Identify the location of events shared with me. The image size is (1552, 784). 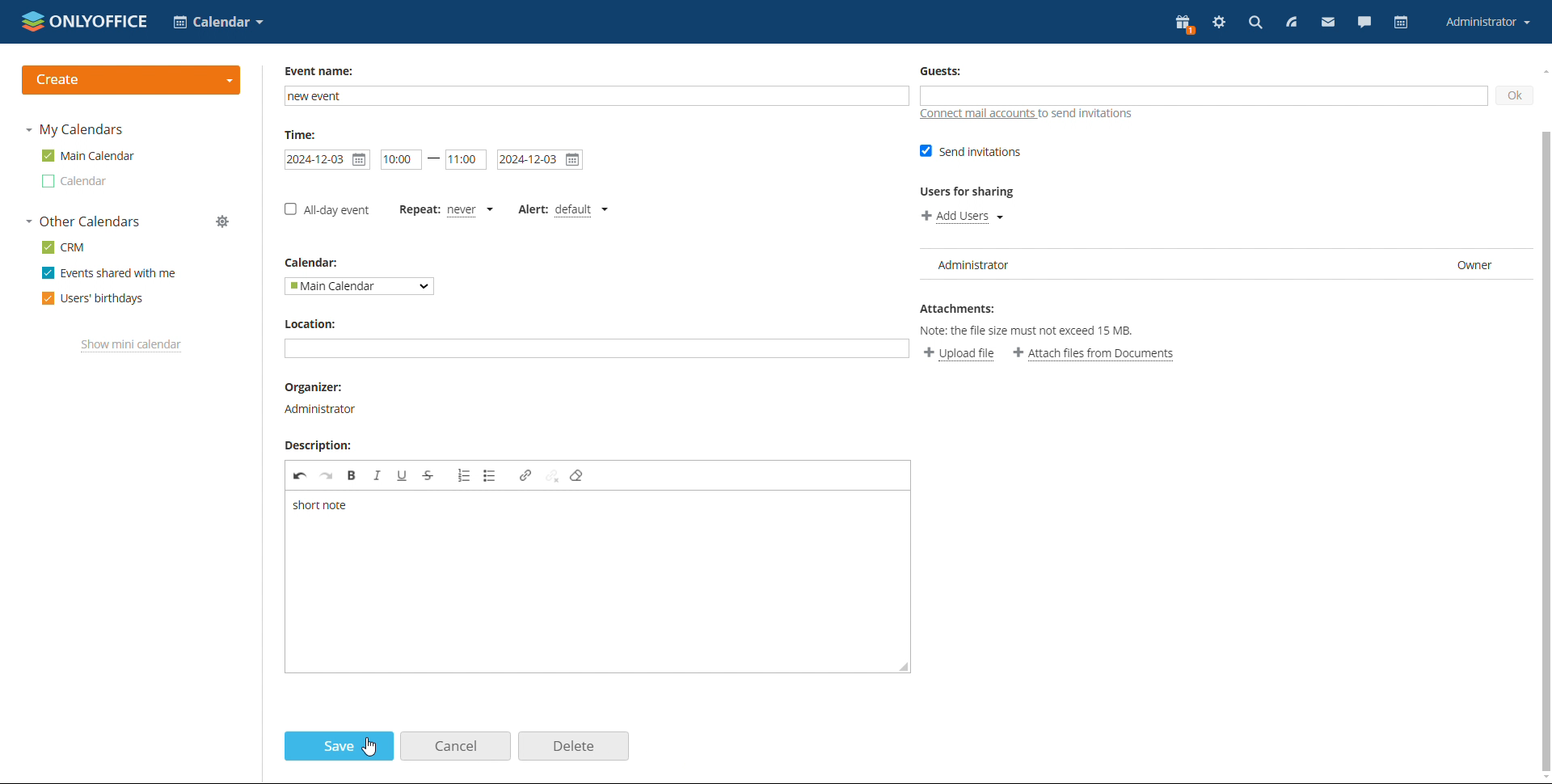
(110, 272).